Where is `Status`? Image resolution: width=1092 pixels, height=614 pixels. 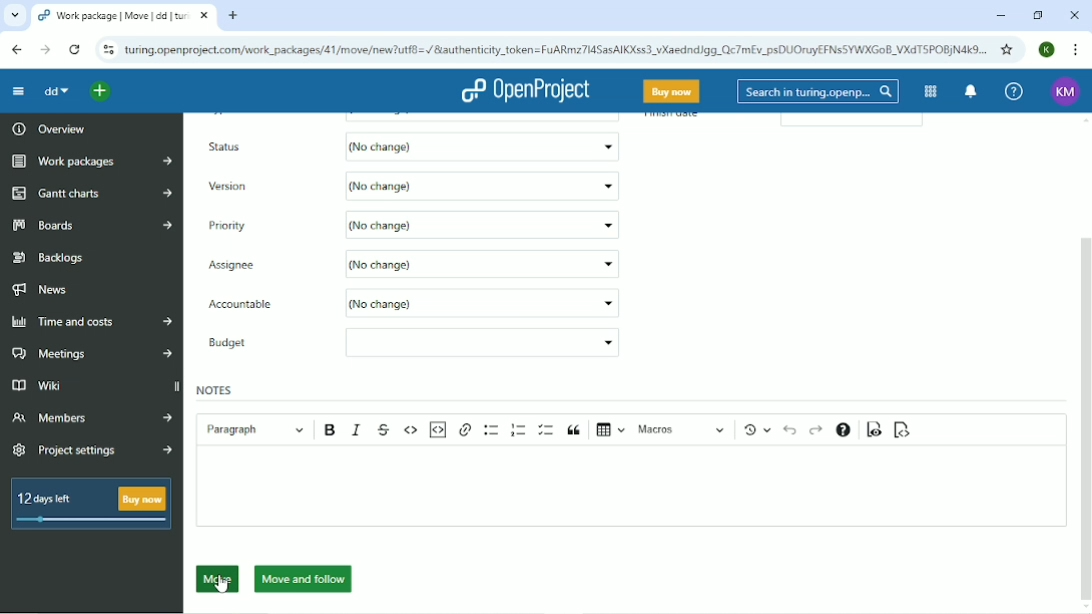
Status is located at coordinates (227, 148).